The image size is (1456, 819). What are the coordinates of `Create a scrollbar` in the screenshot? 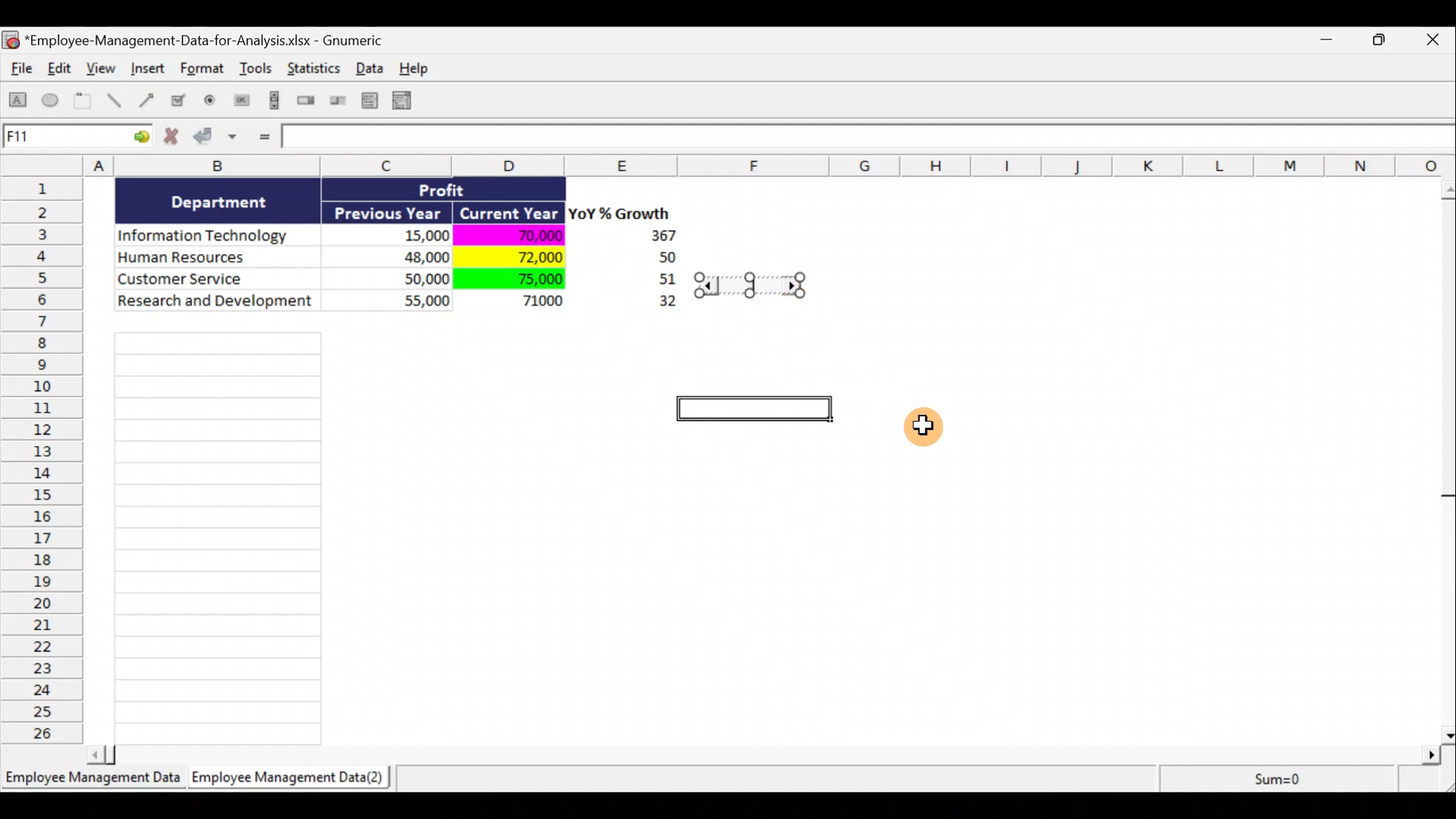 It's located at (272, 103).